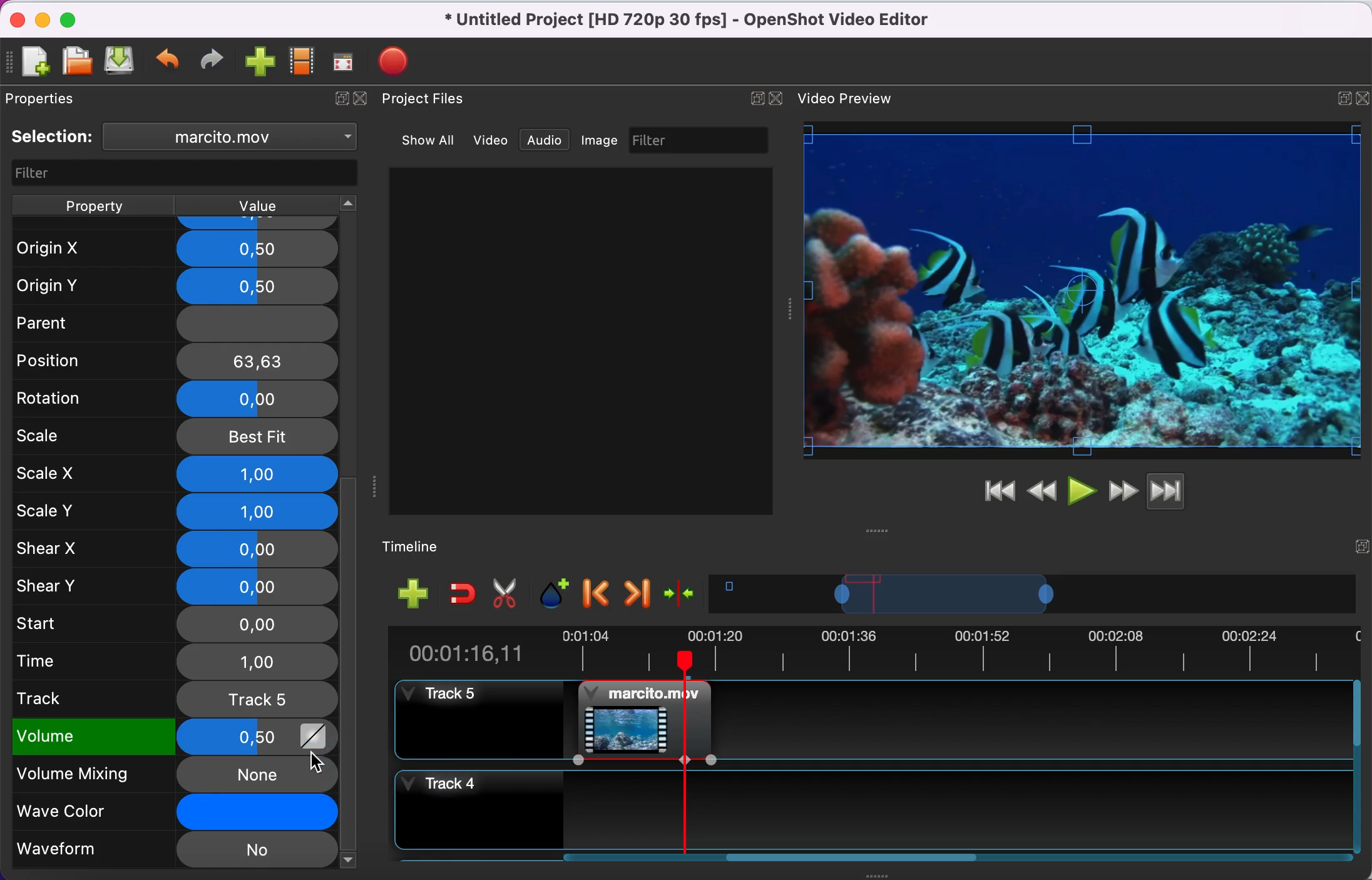  Describe the element at coordinates (754, 98) in the screenshot. I see `expand/hide` at that location.